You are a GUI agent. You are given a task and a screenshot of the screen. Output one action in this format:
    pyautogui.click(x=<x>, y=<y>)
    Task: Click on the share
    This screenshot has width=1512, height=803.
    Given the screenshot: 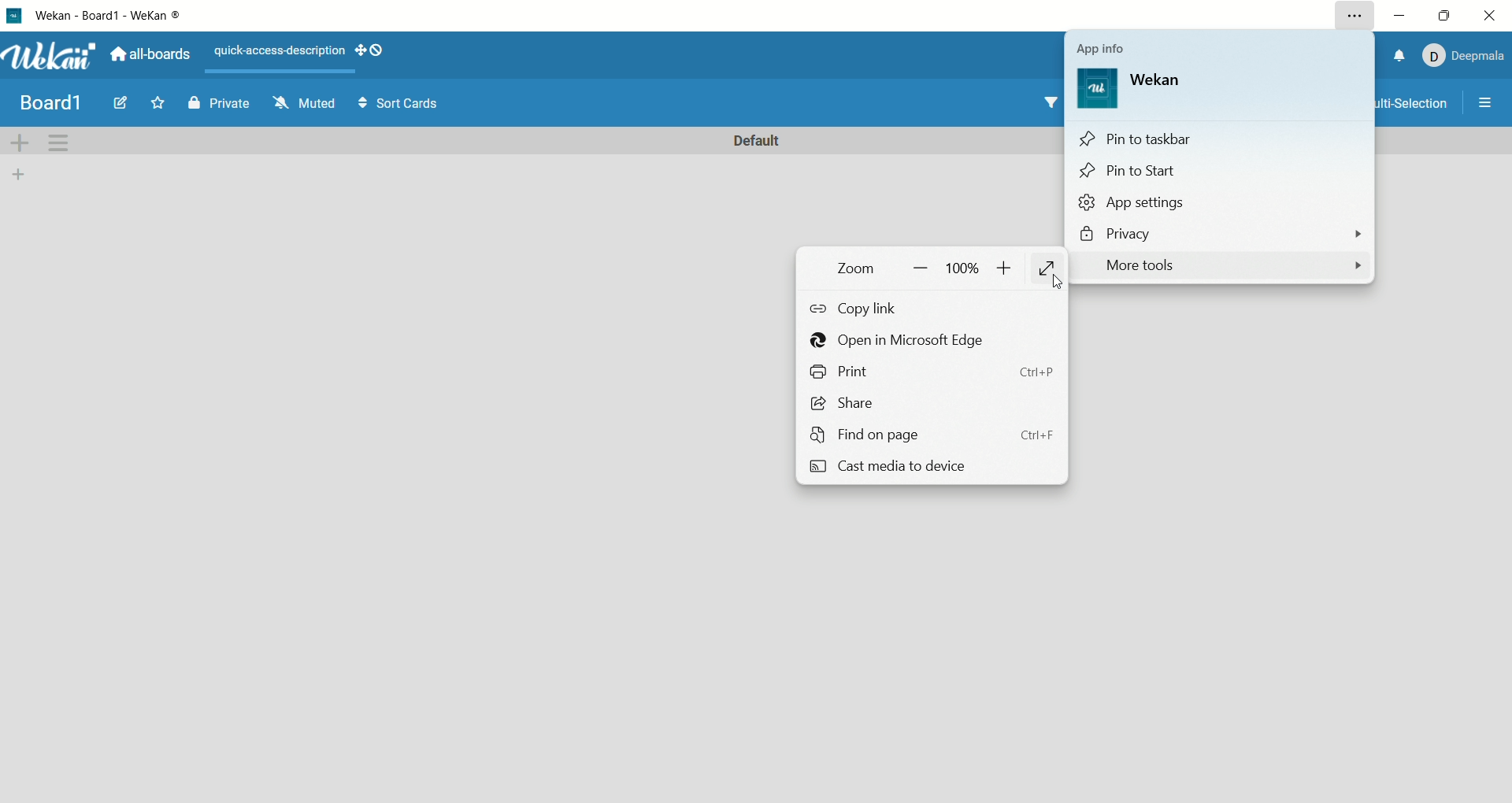 What is the action you would take?
    pyautogui.click(x=925, y=402)
    